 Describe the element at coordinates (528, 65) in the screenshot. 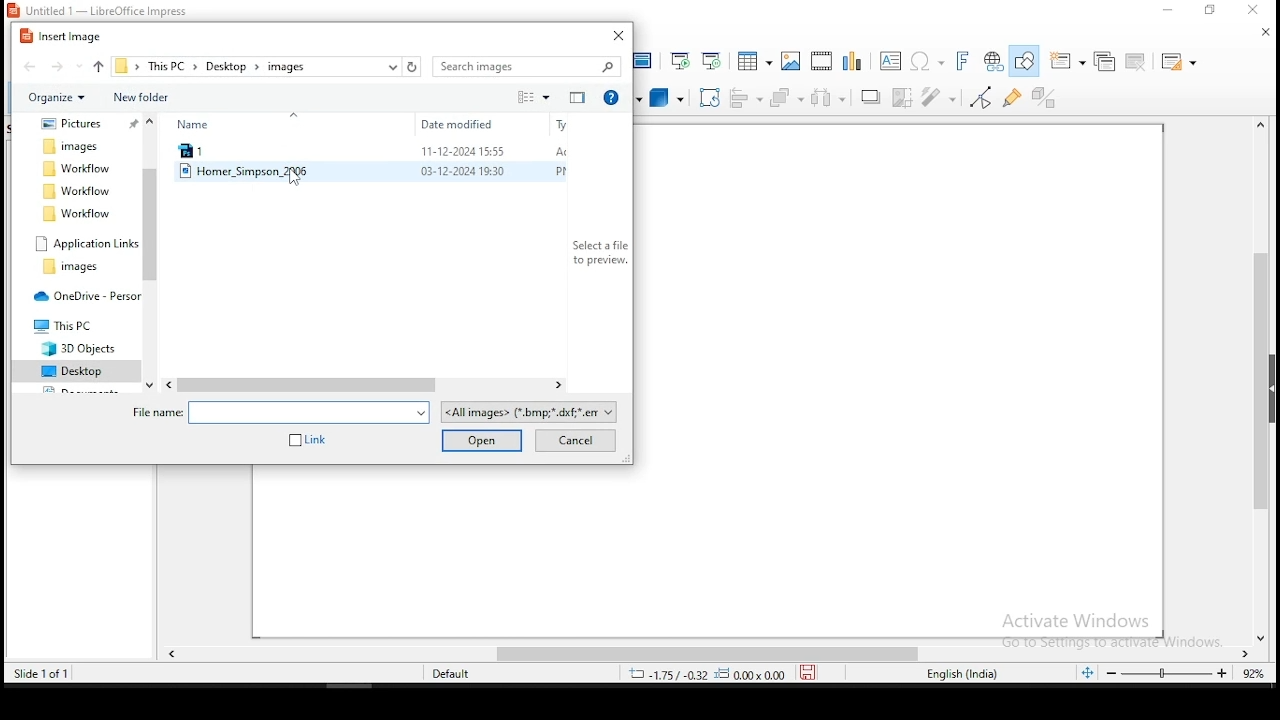

I see `search settings` at that location.